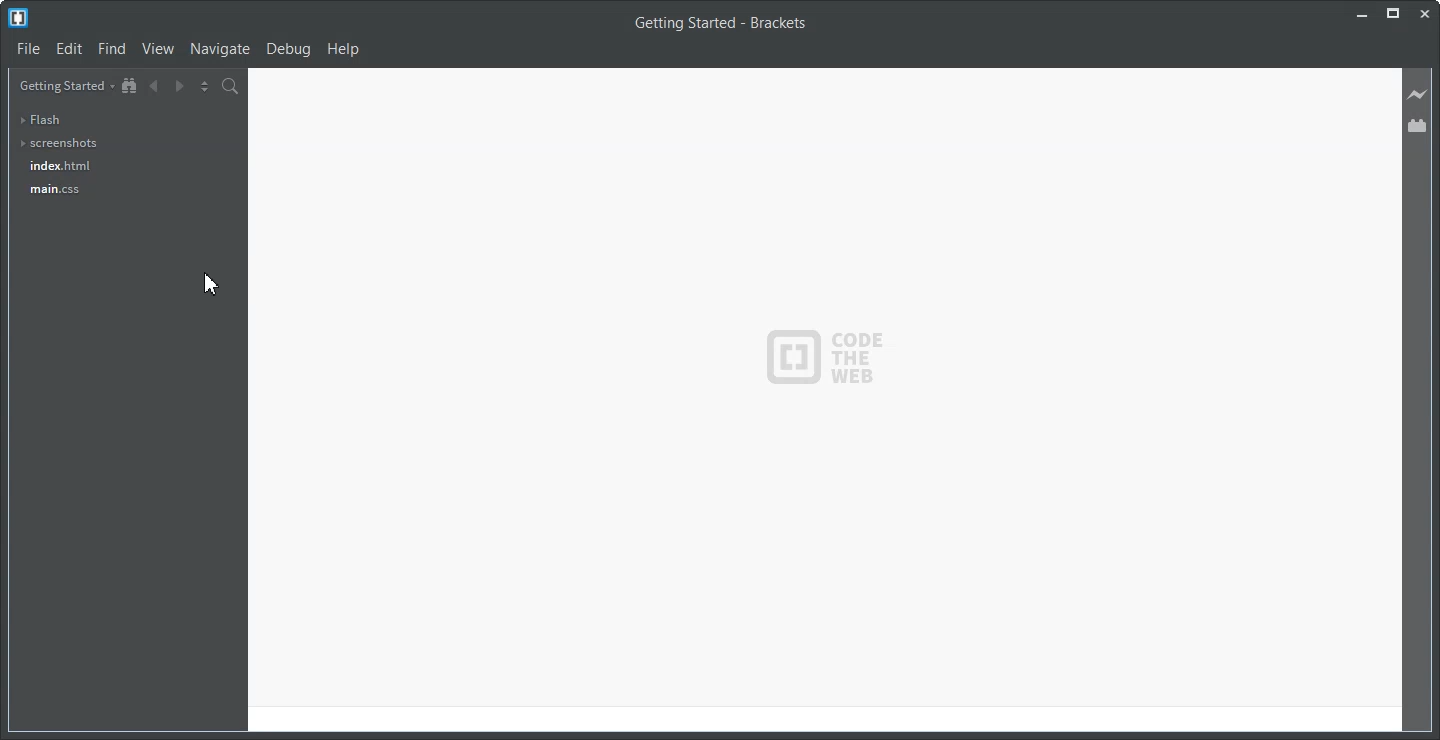 Image resolution: width=1440 pixels, height=740 pixels. I want to click on Split the editor vertically or Horizontally, so click(203, 86).